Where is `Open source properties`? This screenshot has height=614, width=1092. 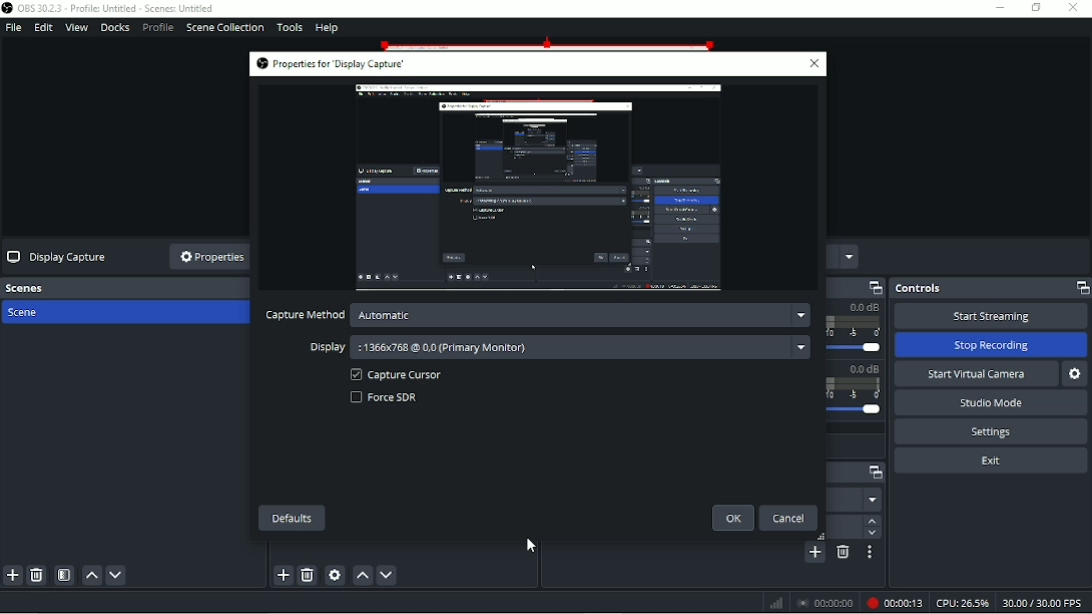 Open source properties is located at coordinates (335, 575).